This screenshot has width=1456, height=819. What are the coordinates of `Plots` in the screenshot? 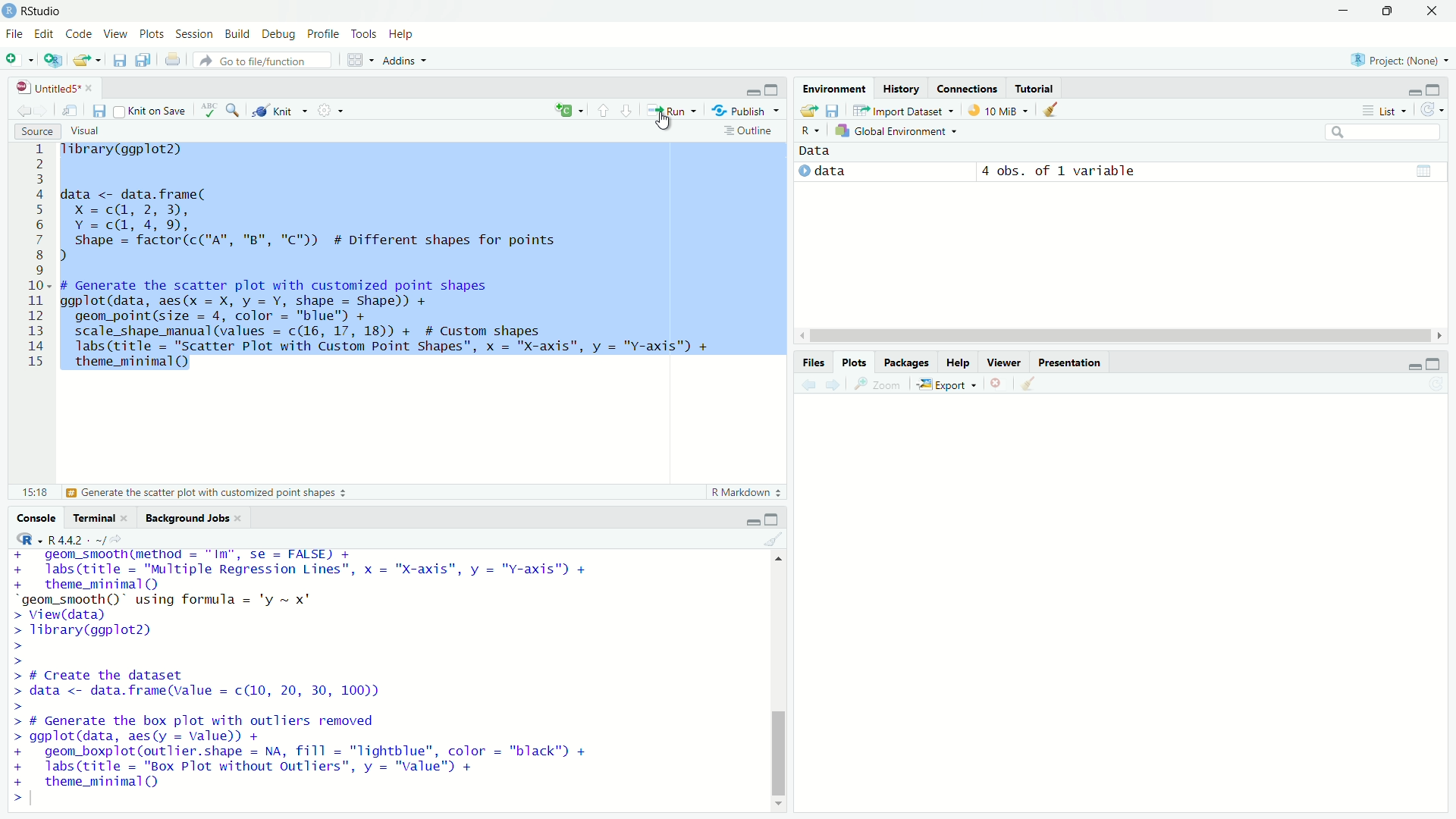 It's located at (853, 362).